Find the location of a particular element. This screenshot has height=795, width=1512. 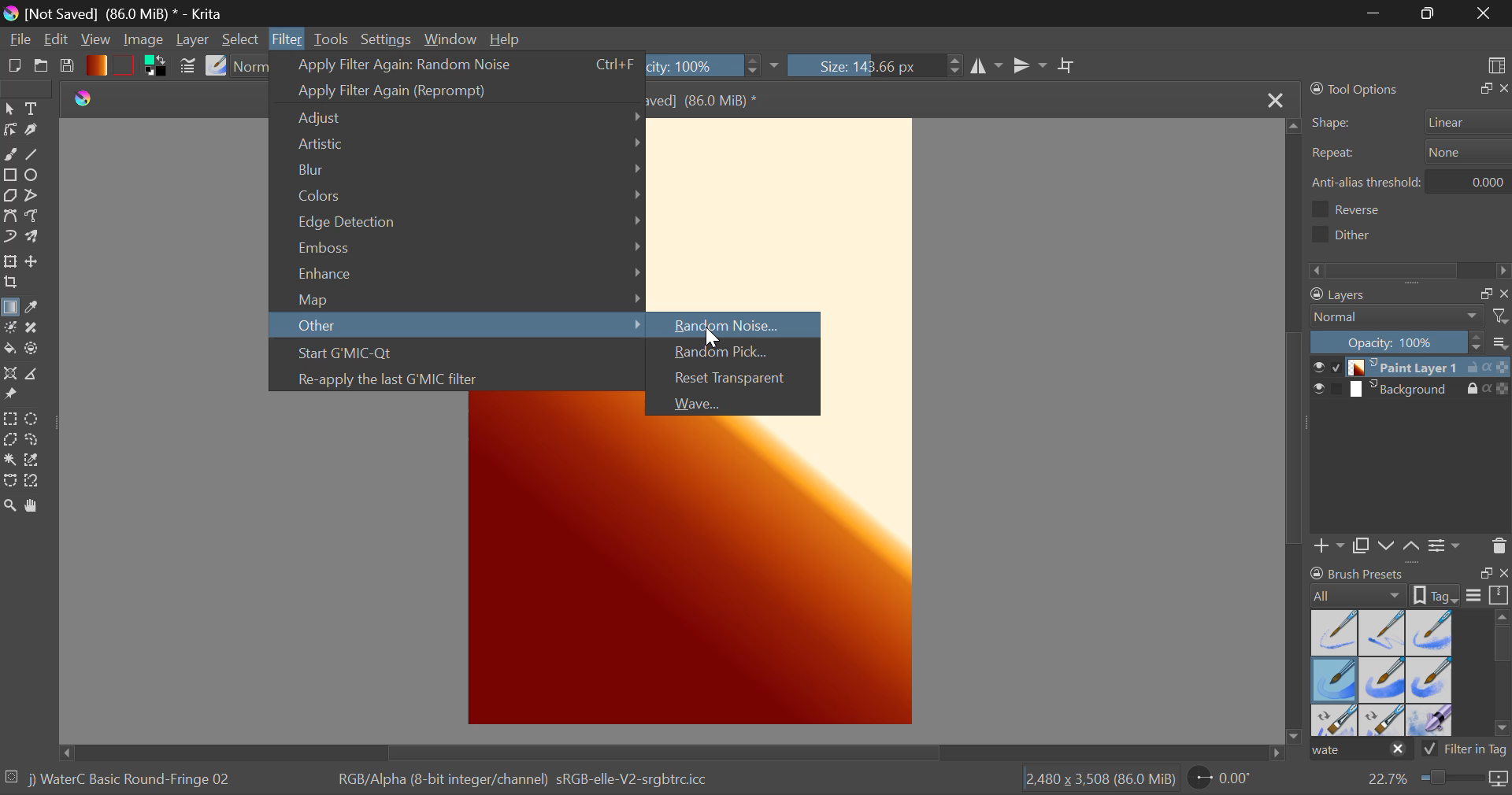

Save is located at coordinates (68, 66).